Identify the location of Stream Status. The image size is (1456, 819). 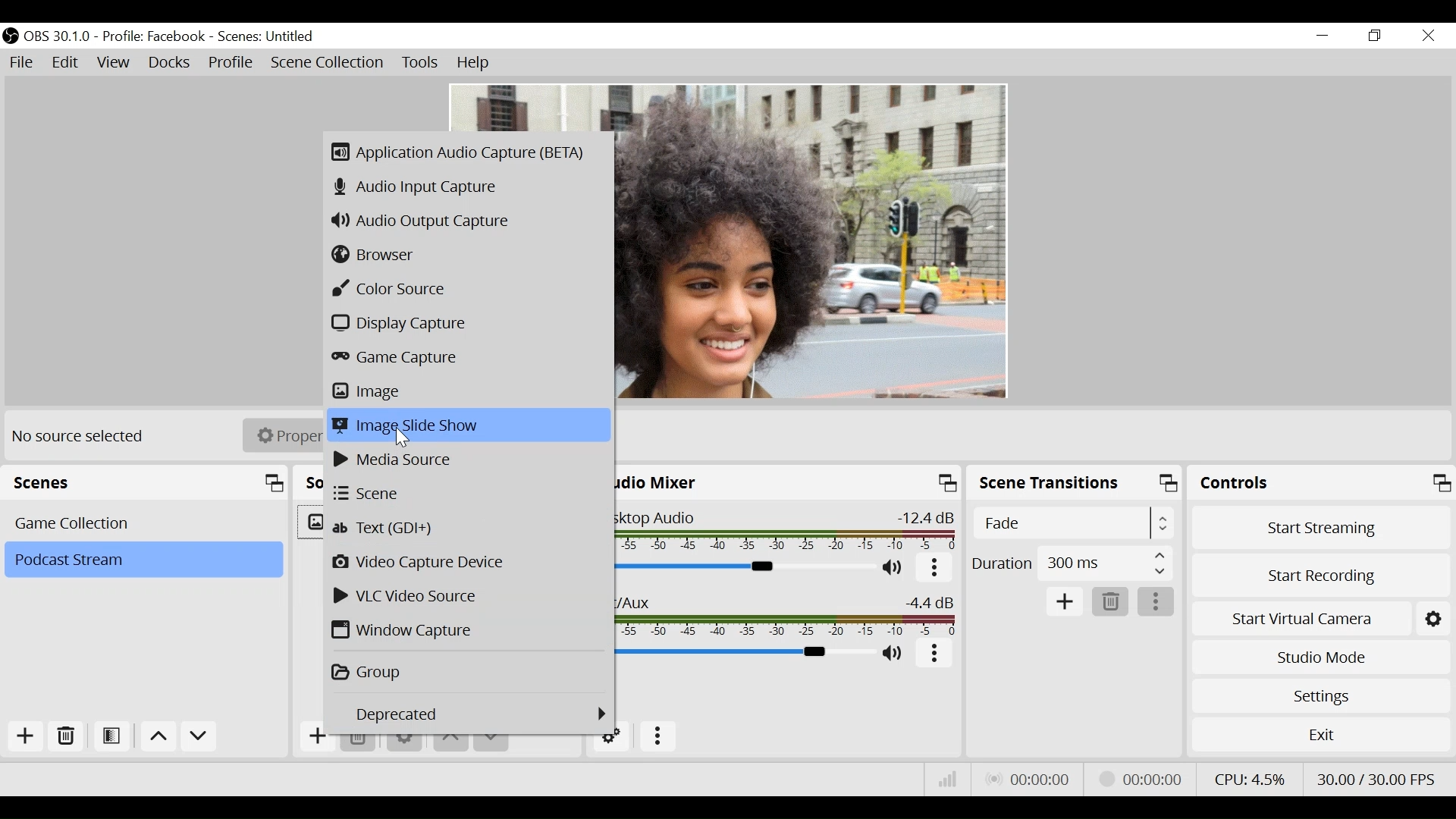
(1141, 777).